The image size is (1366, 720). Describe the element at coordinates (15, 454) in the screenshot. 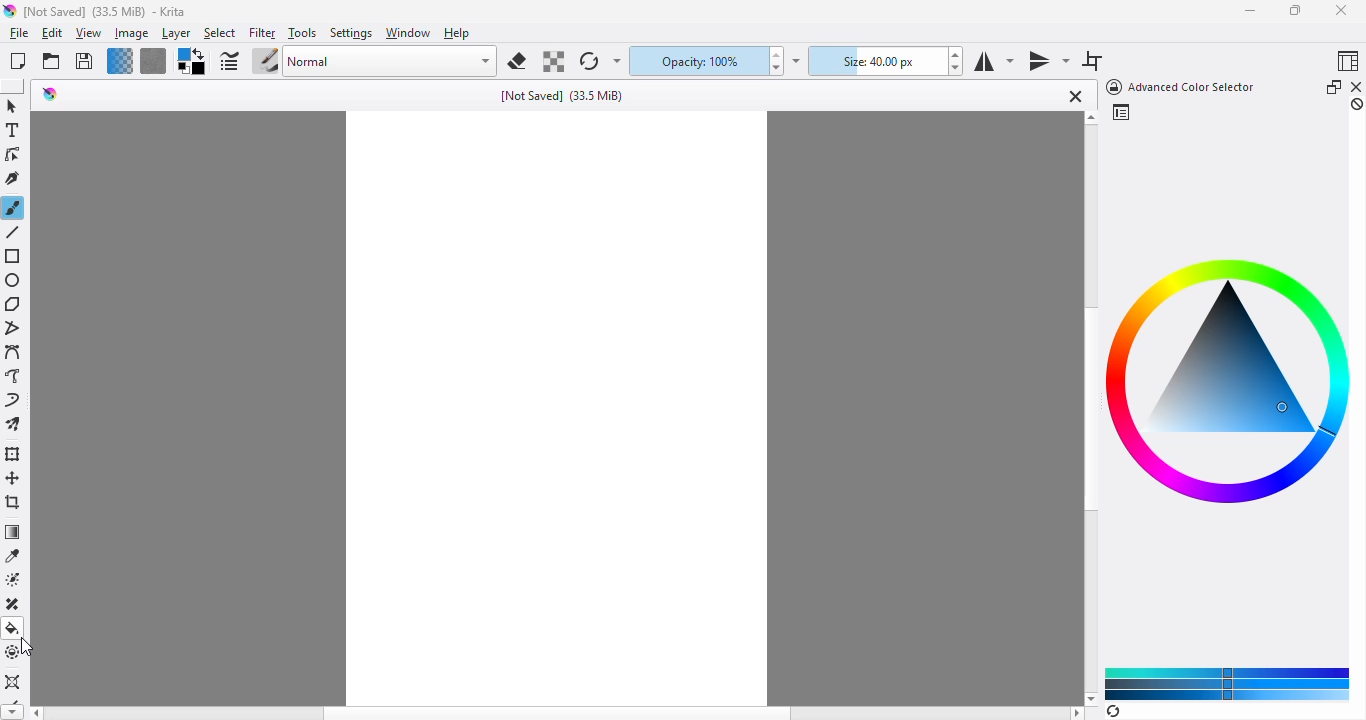

I see `transform a layer or a selection` at that location.